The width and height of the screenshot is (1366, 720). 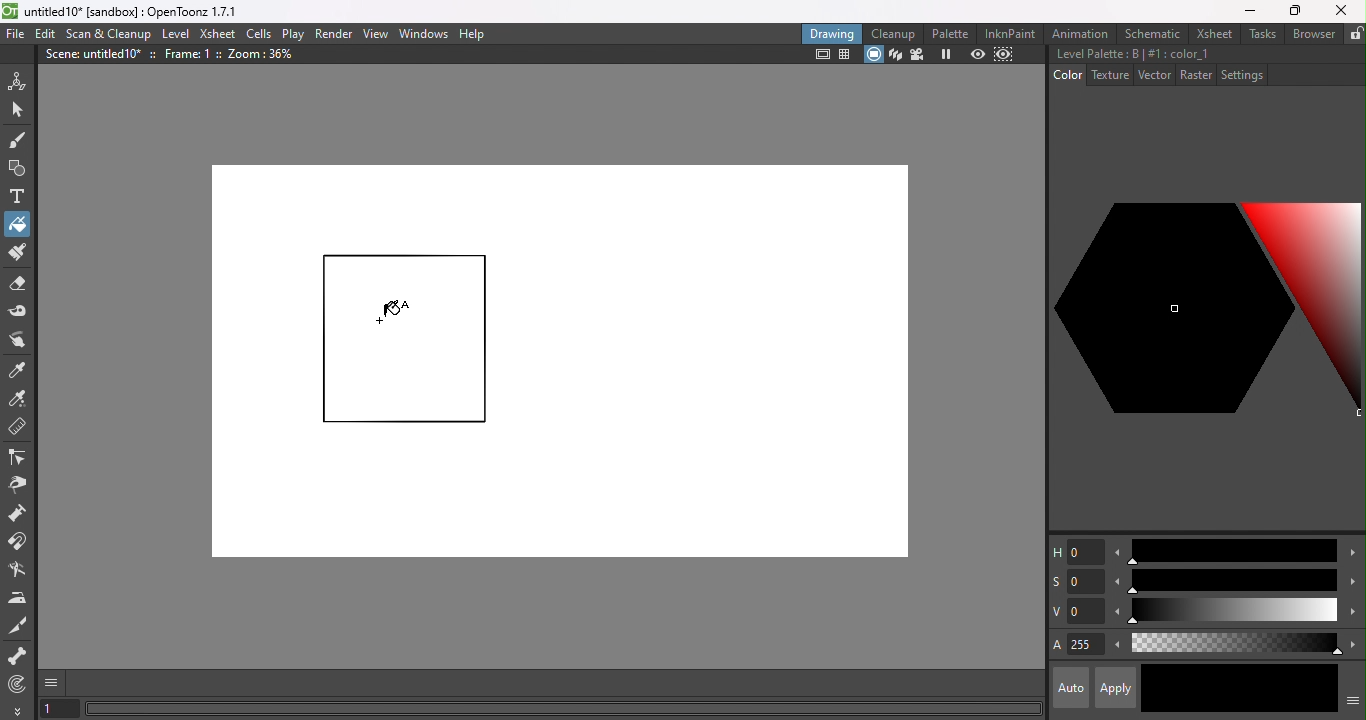 What do you see at coordinates (1081, 32) in the screenshot?
I see `Animation` at bounding box center [1081, 32].